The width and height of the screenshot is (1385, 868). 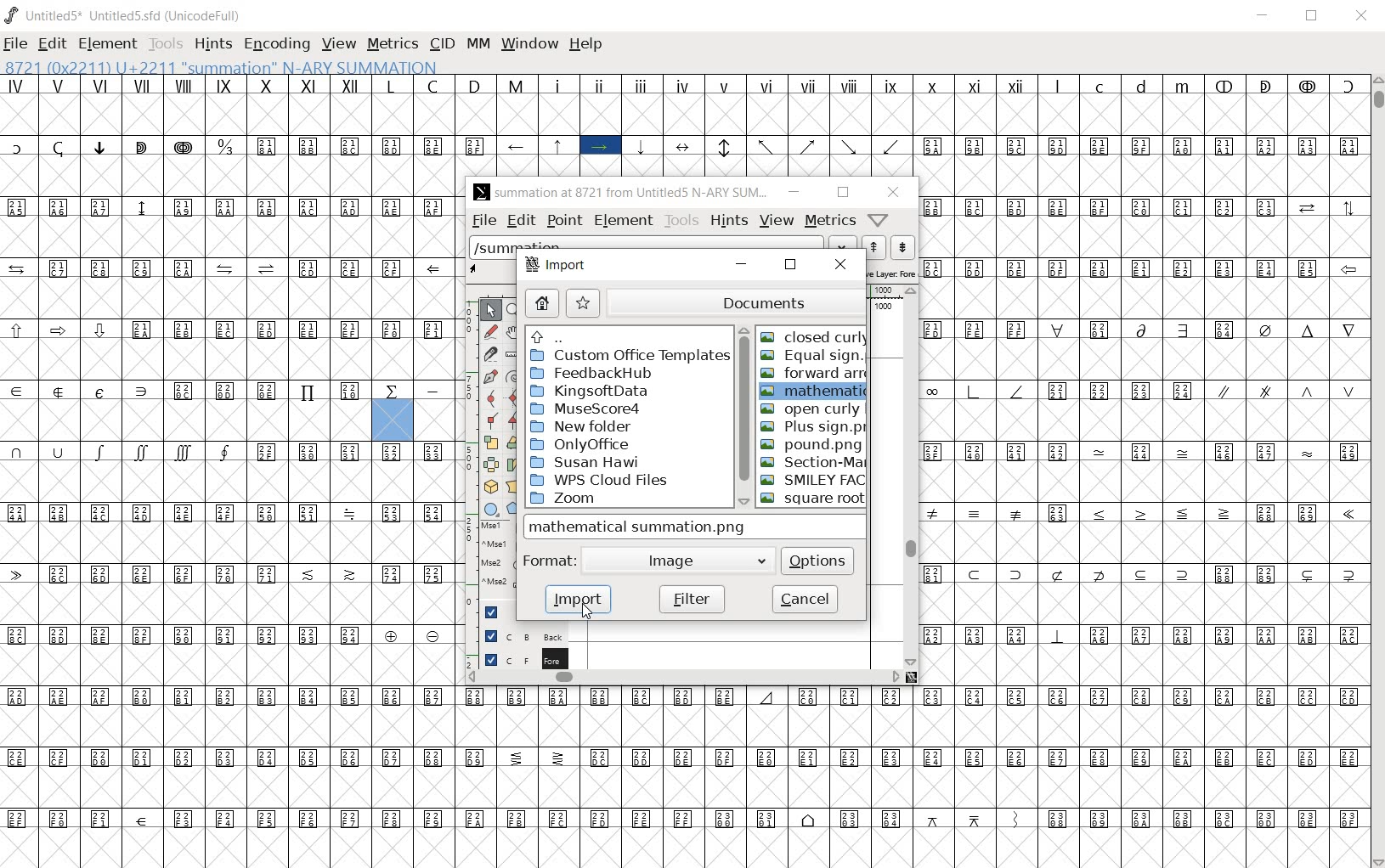 I want to click on measure a distance, angle between points, so click(x=514, y=354).